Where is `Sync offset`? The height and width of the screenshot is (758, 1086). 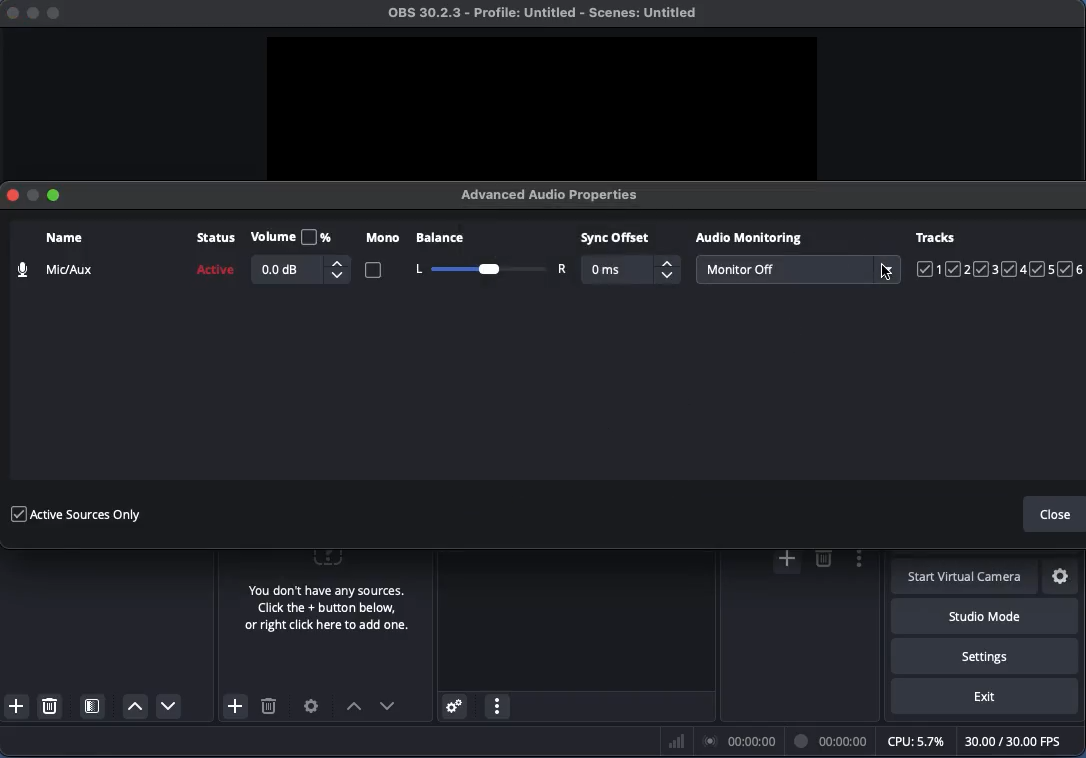
Sync offset is located at coordinates (629, 258).